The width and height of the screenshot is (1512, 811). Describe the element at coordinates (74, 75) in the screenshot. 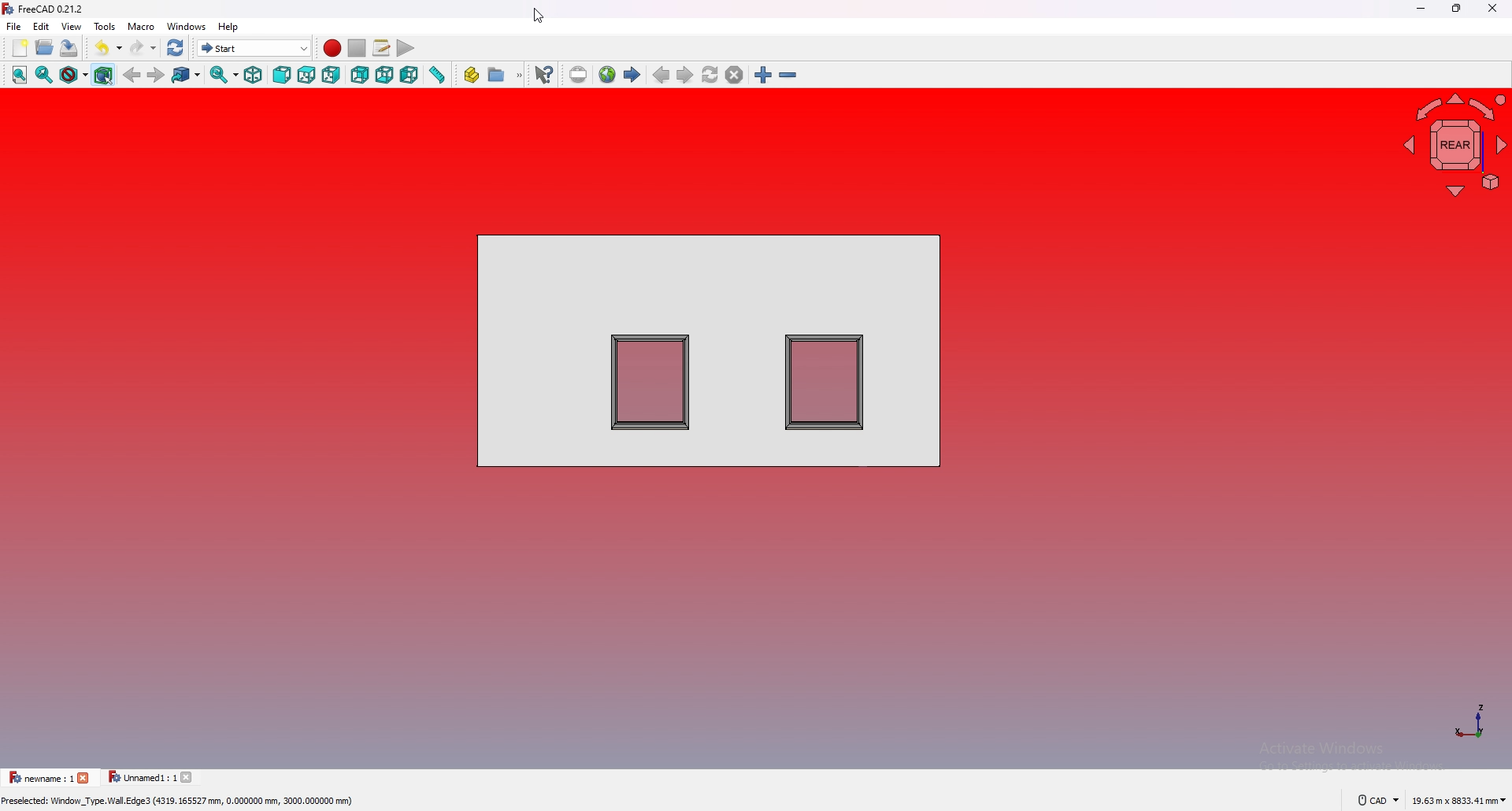

I see `draw style` at that location.